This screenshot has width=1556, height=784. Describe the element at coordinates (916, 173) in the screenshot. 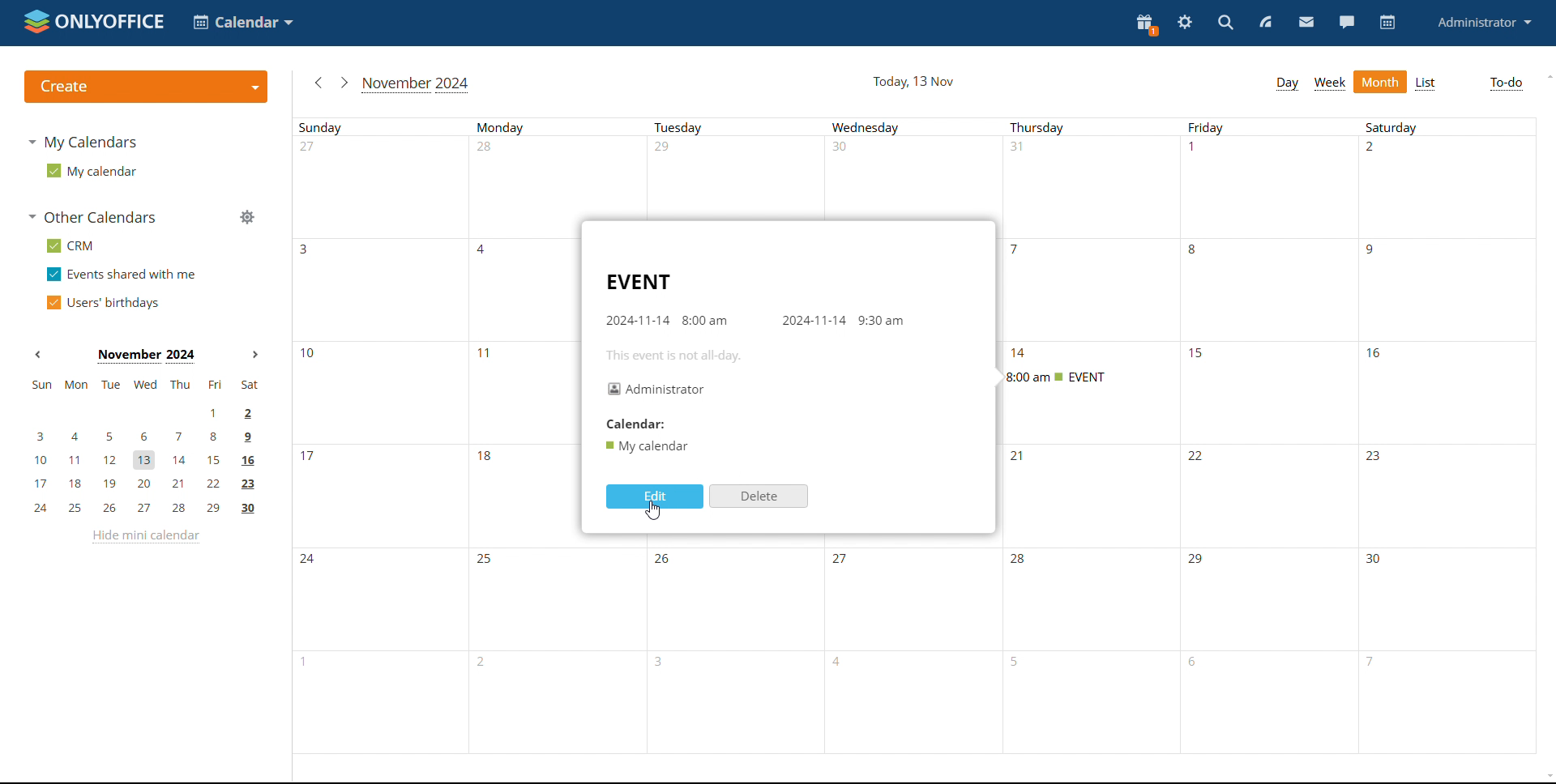

I see `dates of the month` at that location.